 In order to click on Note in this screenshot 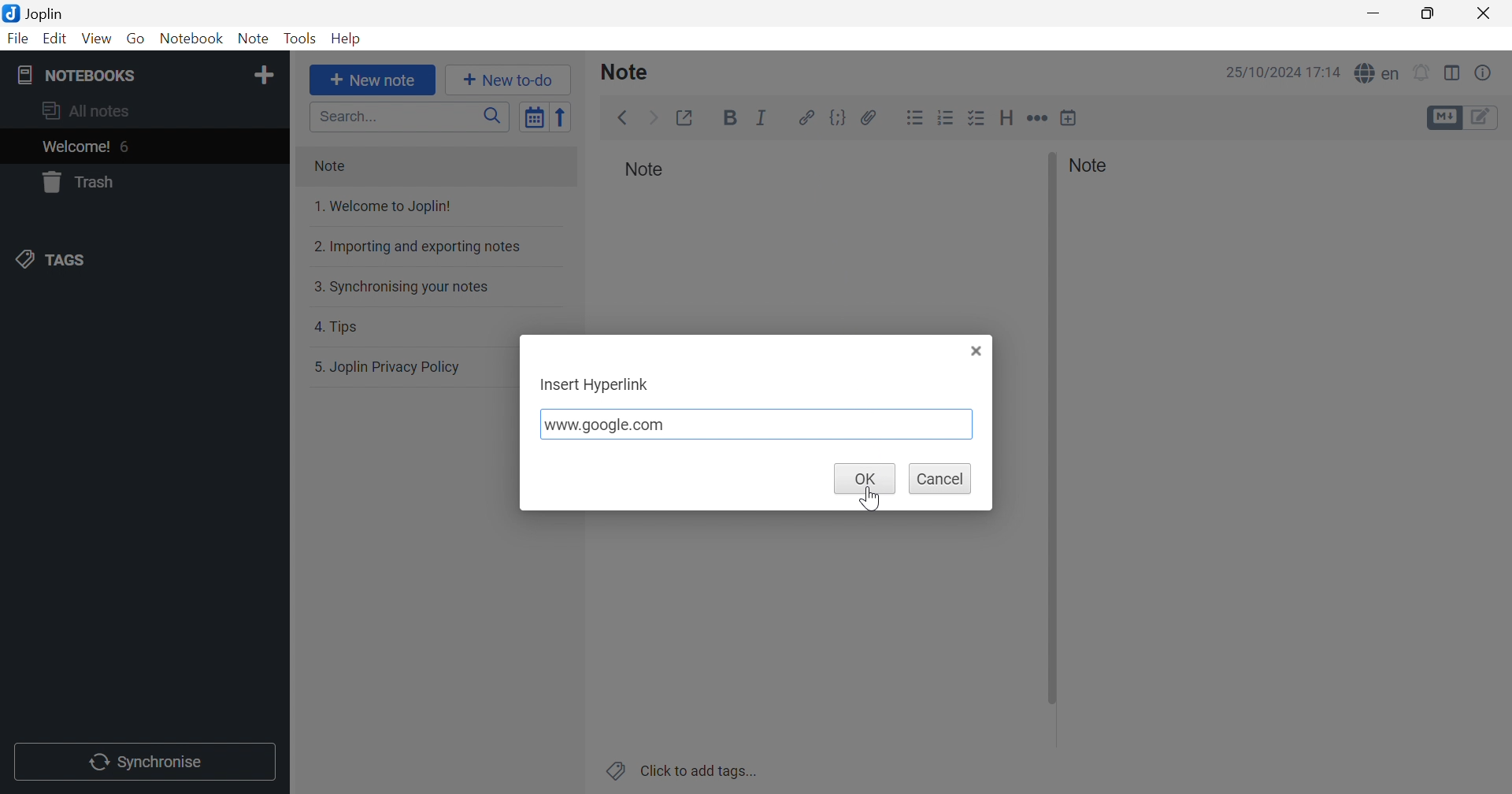, I will do `click(632, 72)`.